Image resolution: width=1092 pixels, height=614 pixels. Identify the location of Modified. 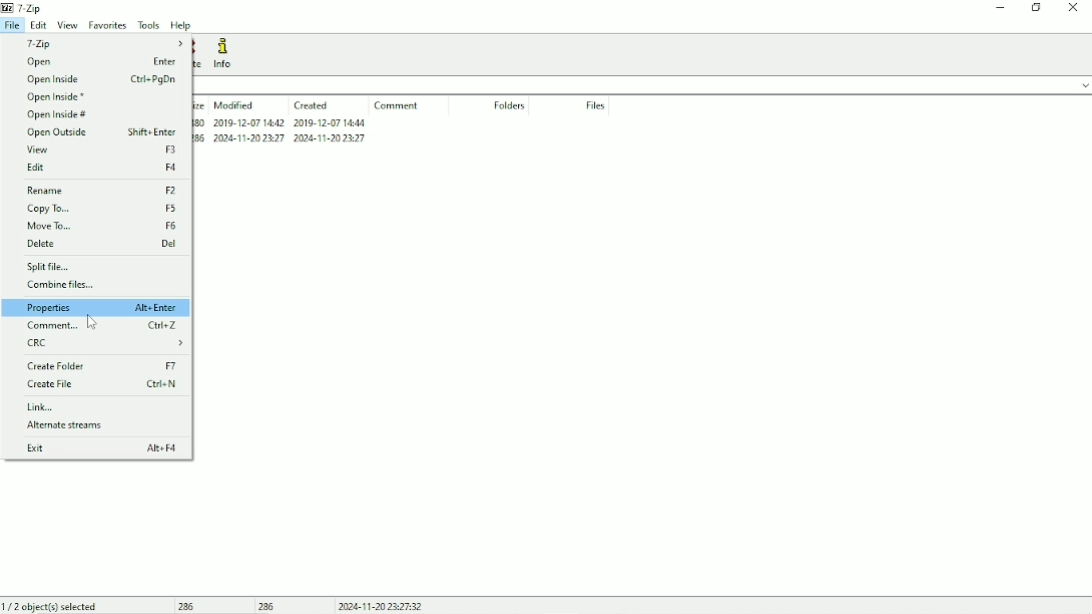
(234, 105).